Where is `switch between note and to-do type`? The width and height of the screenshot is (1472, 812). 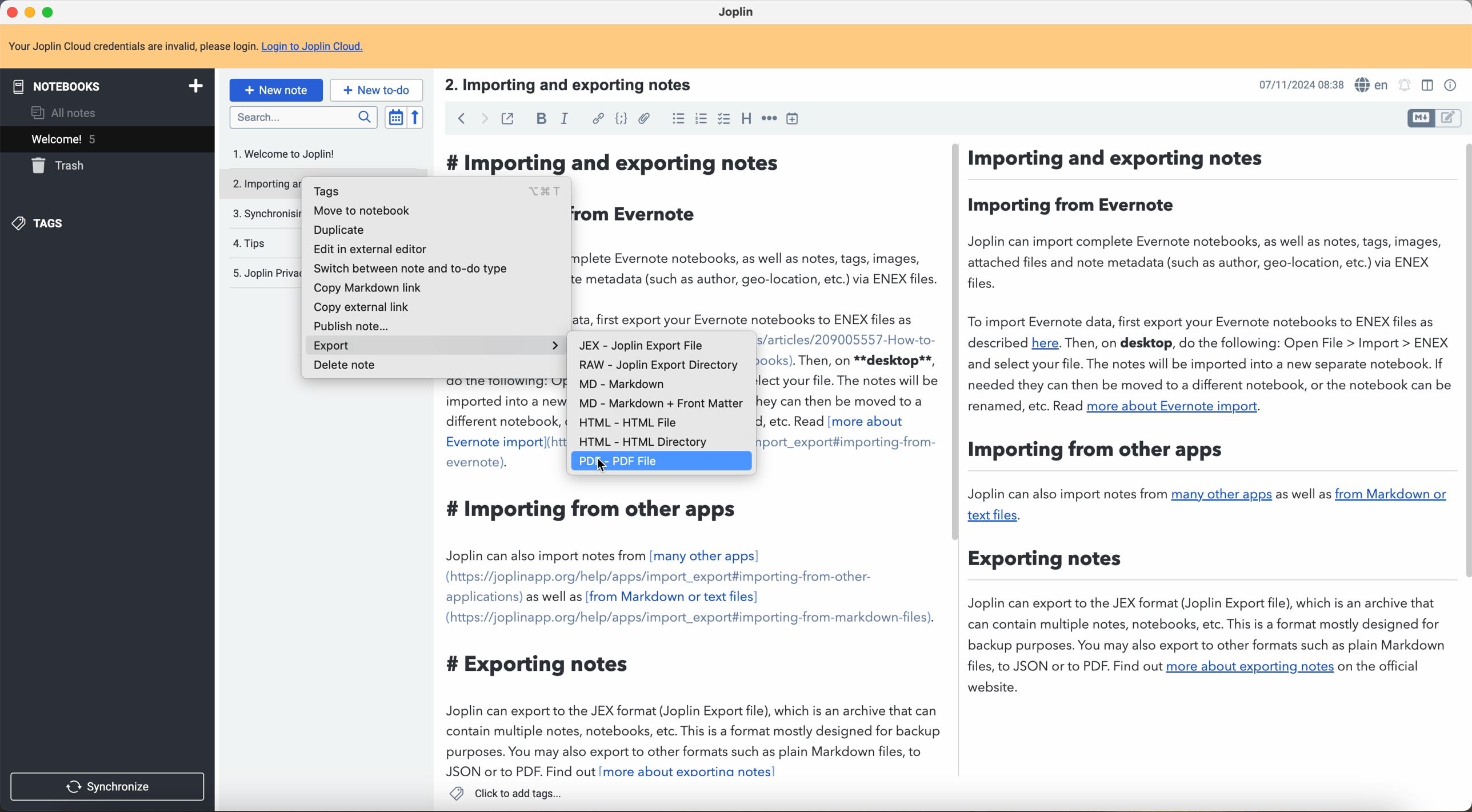 switch between note and to-do type is located at coordinates (414, 268).